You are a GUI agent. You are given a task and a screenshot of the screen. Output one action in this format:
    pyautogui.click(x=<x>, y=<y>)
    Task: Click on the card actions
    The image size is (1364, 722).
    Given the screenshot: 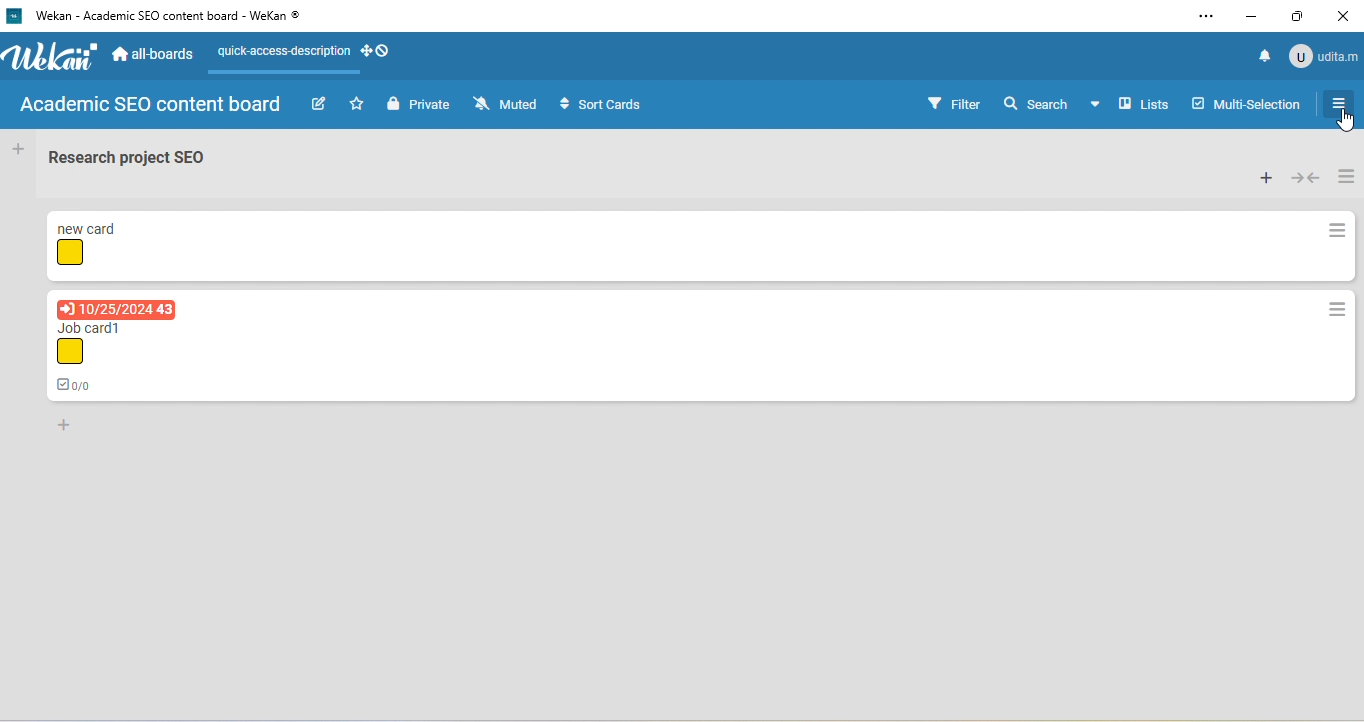 What is the action you would take?
    pyautogui.click(x=1338, y=308)
    